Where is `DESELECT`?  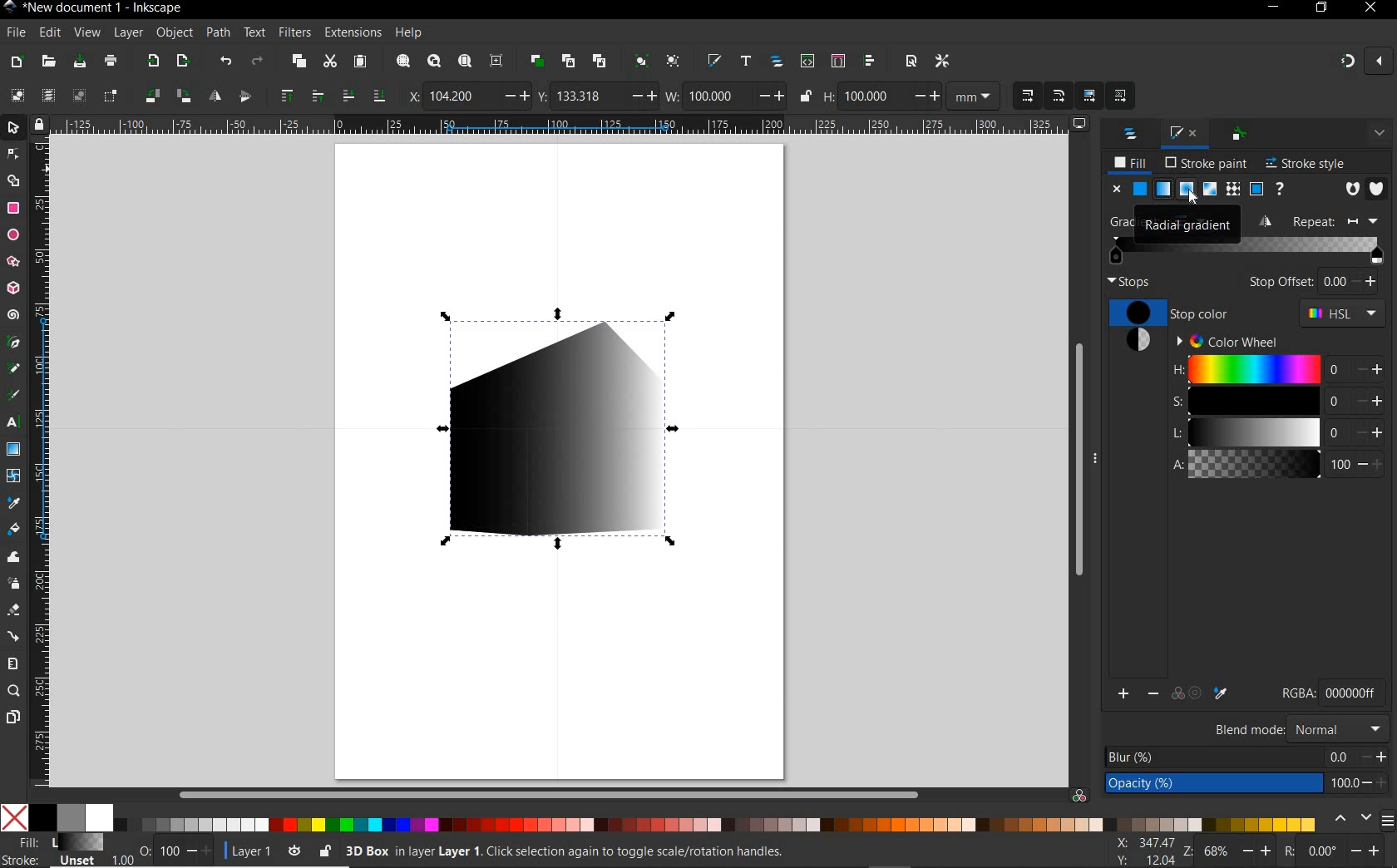 DESELECT is located at coordinates (79, 96).